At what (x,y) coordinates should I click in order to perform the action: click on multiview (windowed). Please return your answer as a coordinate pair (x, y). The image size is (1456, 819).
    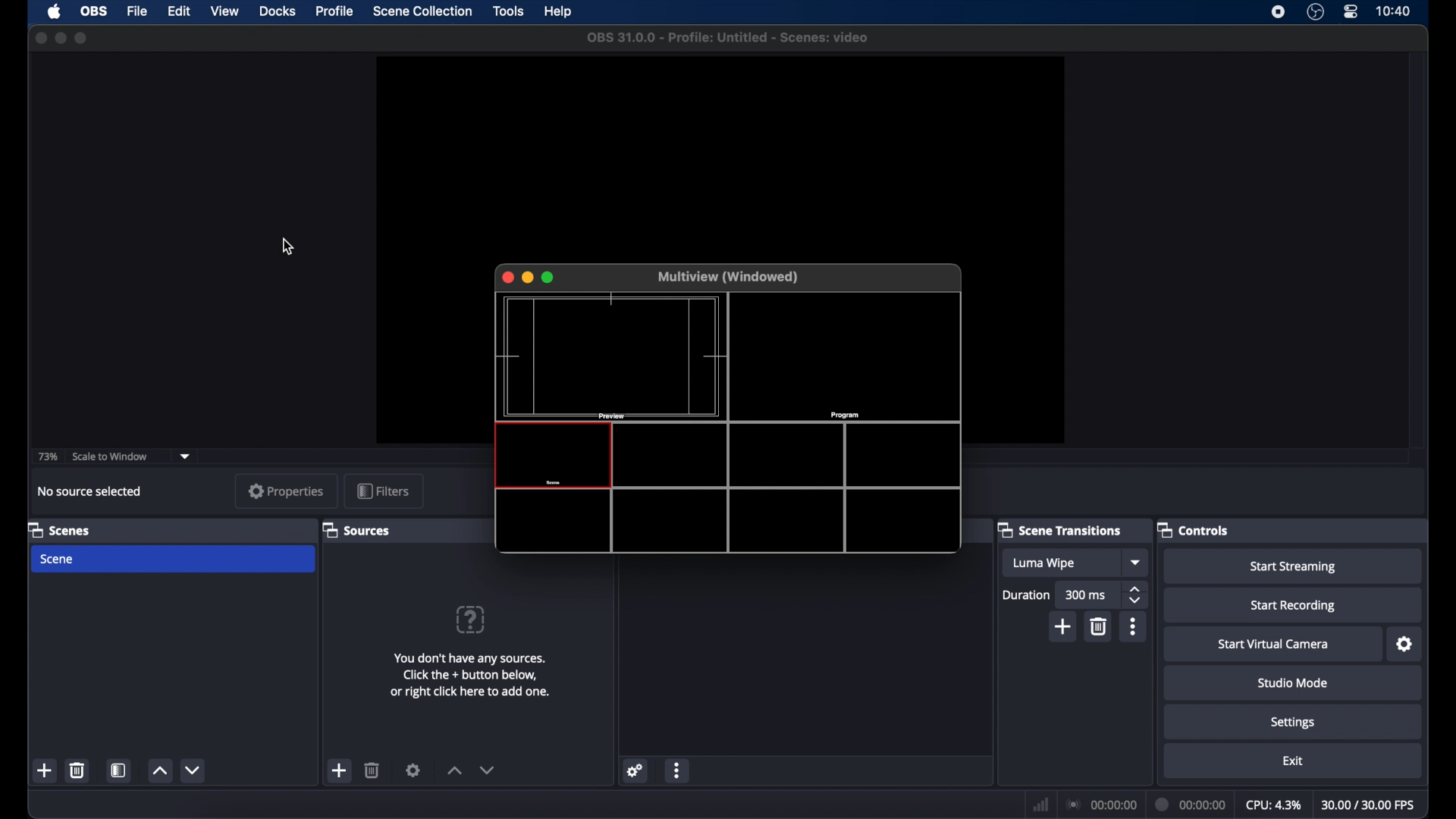
    Looking at the image, I should click on (730, 277).